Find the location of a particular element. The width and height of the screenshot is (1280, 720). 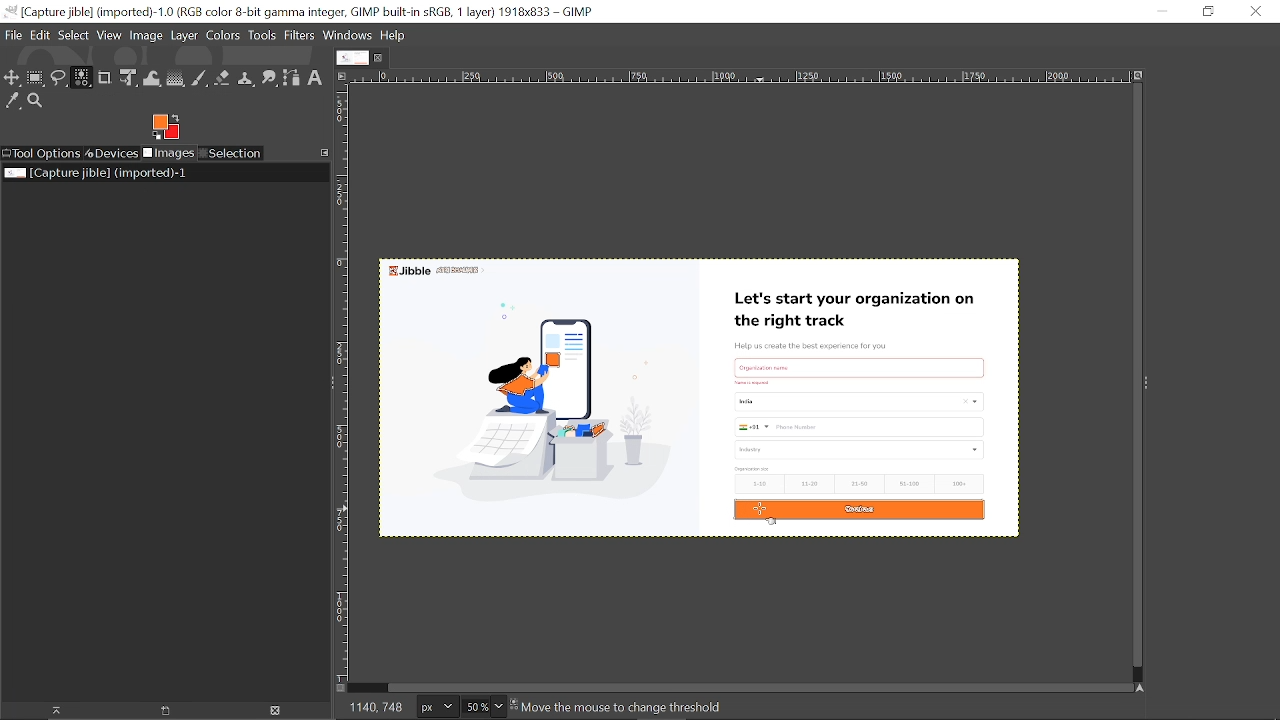

Unified transform tool is located at coordinates (128, 78).